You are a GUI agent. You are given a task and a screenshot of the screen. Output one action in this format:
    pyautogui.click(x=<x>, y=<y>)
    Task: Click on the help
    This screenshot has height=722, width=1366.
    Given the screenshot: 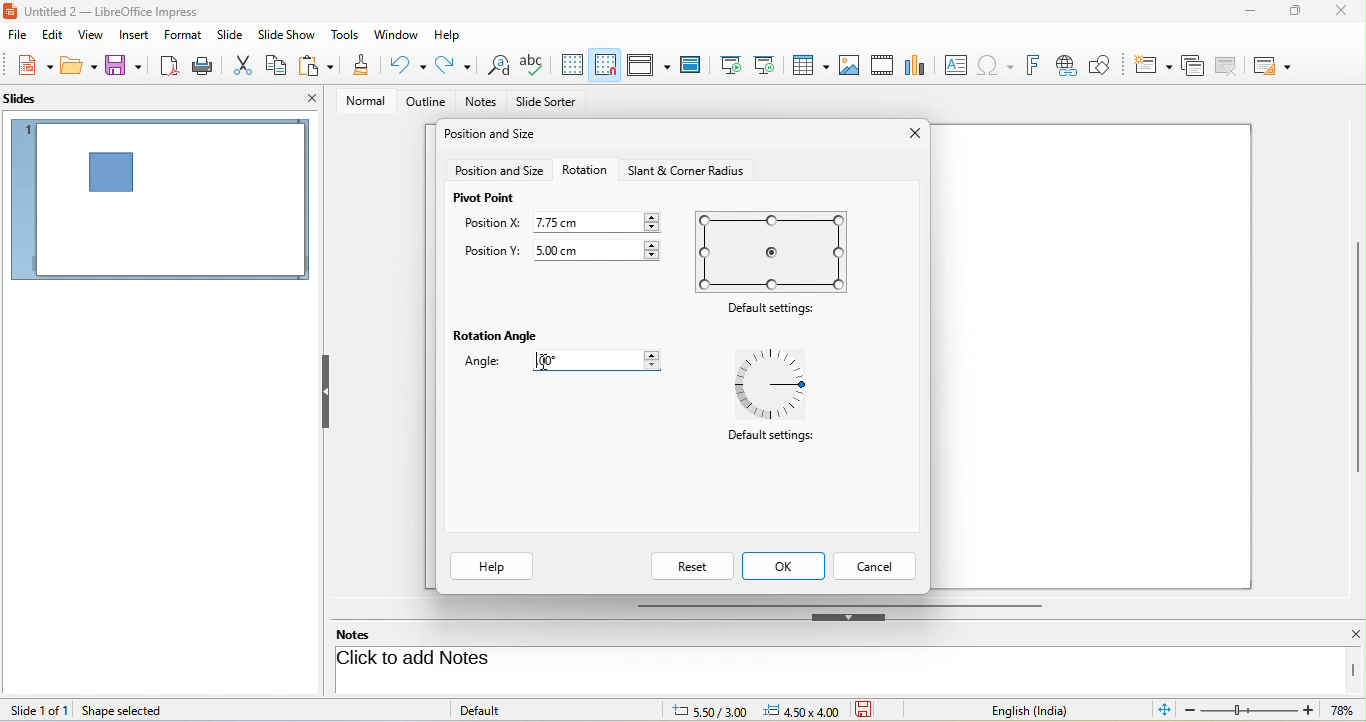 What is the action you would take?
    pyautogui.click(x=492, y=567)
    